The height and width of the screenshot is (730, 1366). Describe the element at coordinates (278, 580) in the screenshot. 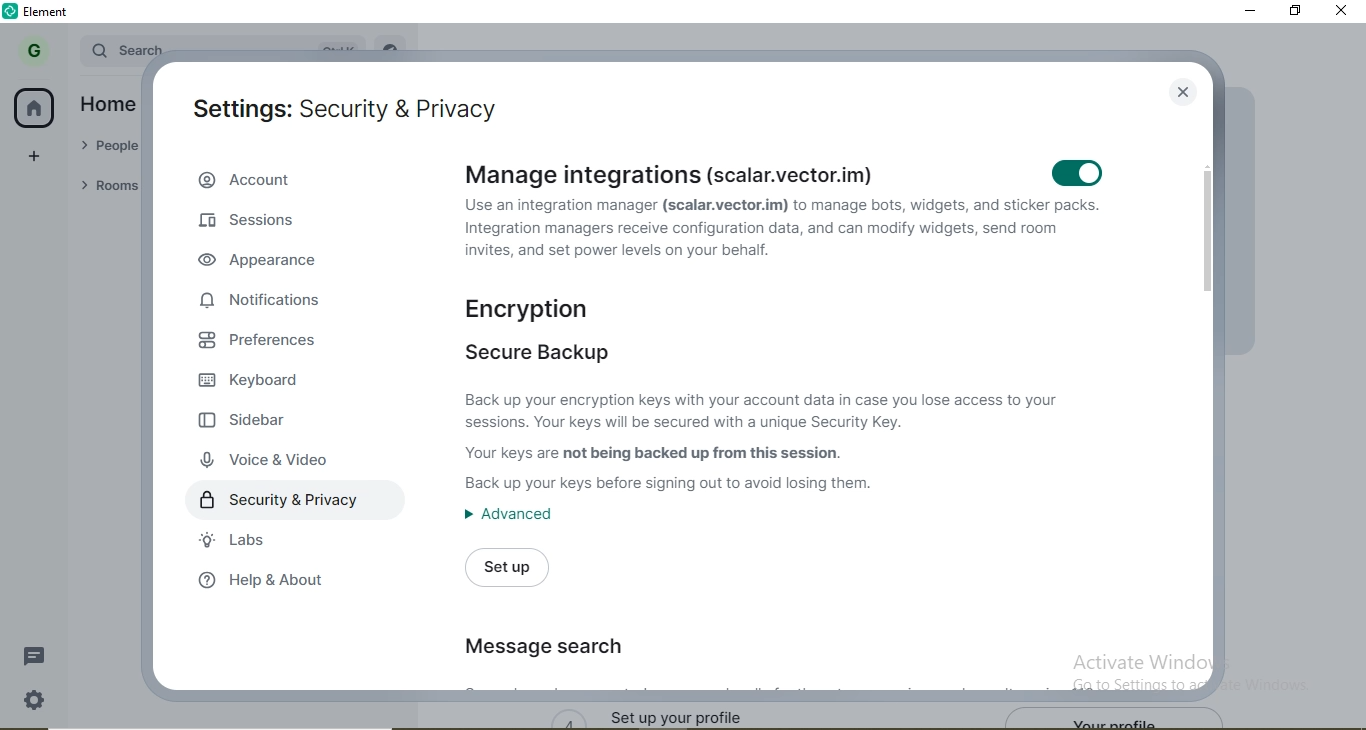

I see `help & about` at that location.